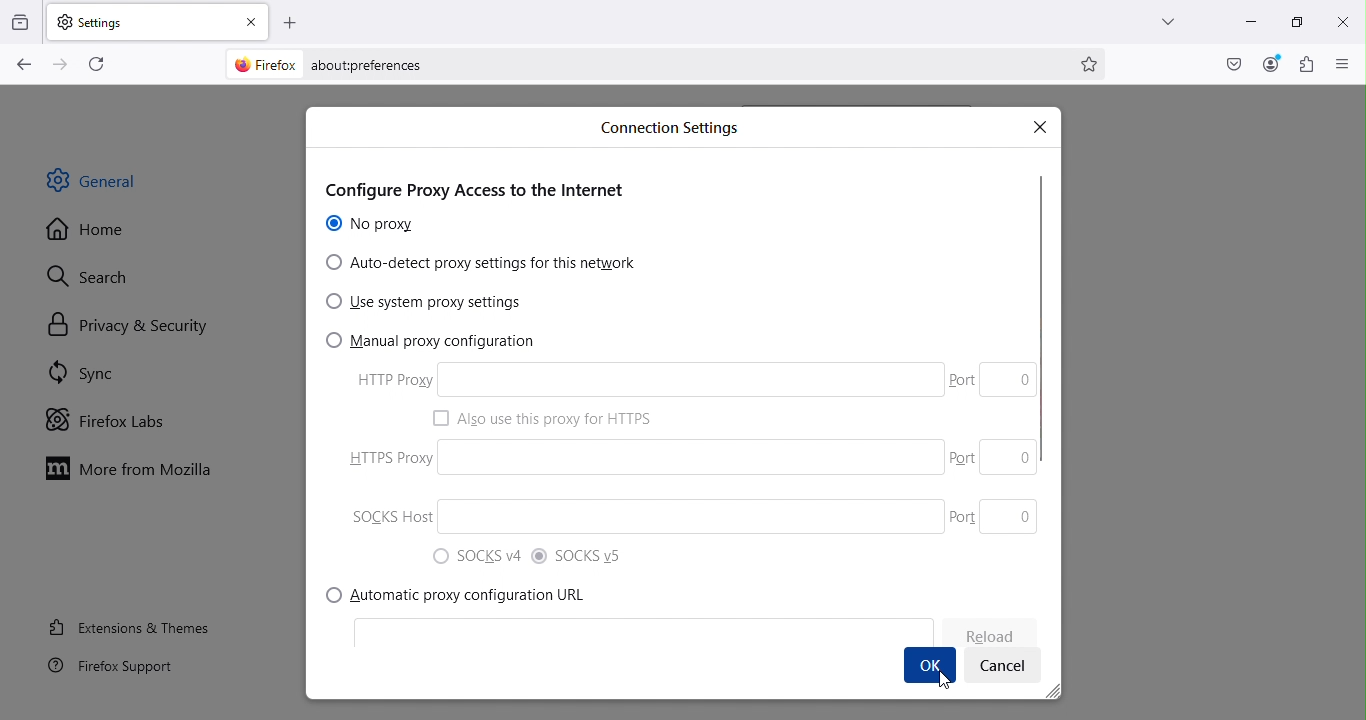  Describe the element at coordinates (945, 680) in the screenshot. I see `cursor` at that location.